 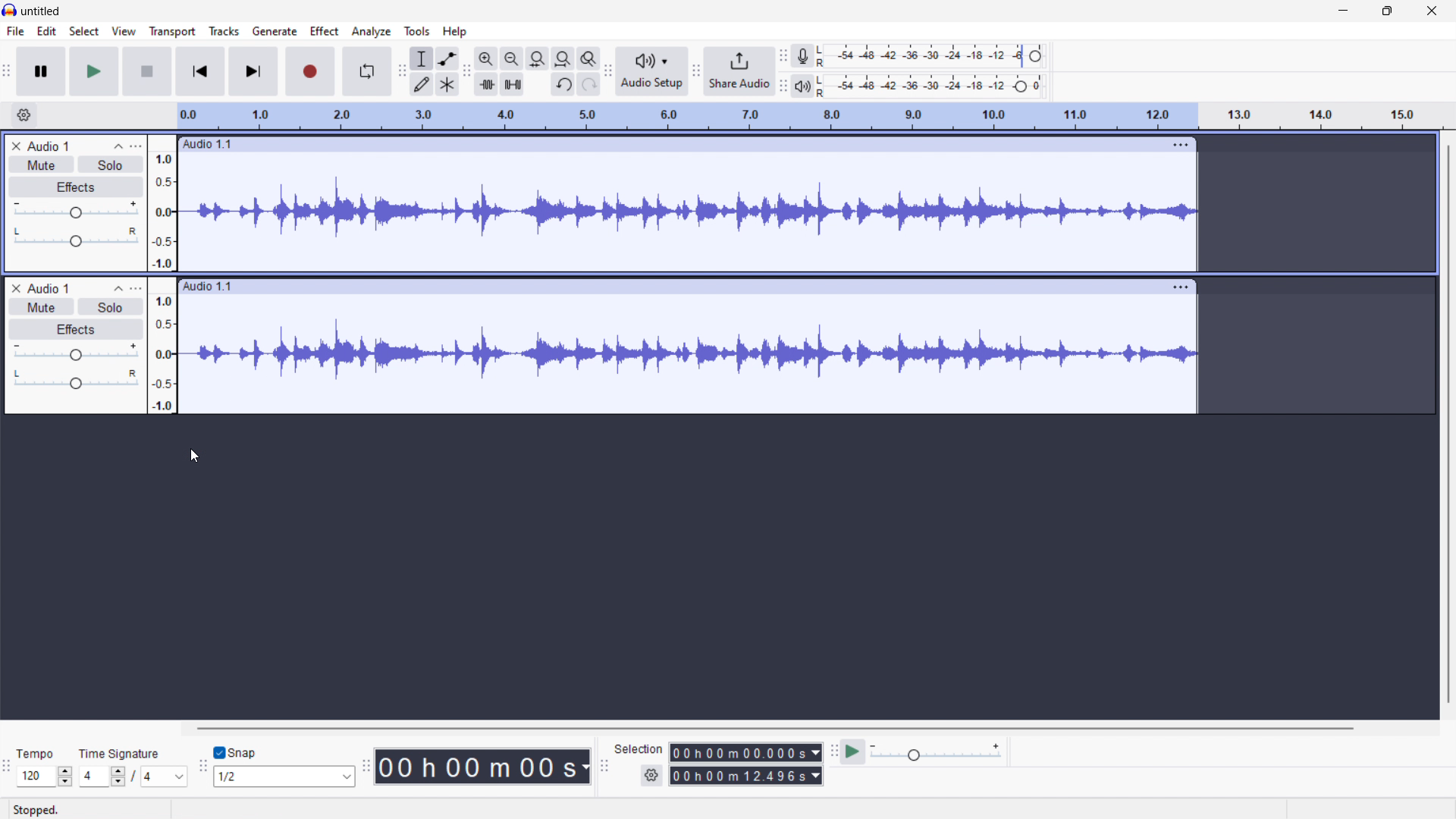 What do you see at coordinates (39, 11) in the screenshot?
I see `Untitled` at bounding box center [39, 11].